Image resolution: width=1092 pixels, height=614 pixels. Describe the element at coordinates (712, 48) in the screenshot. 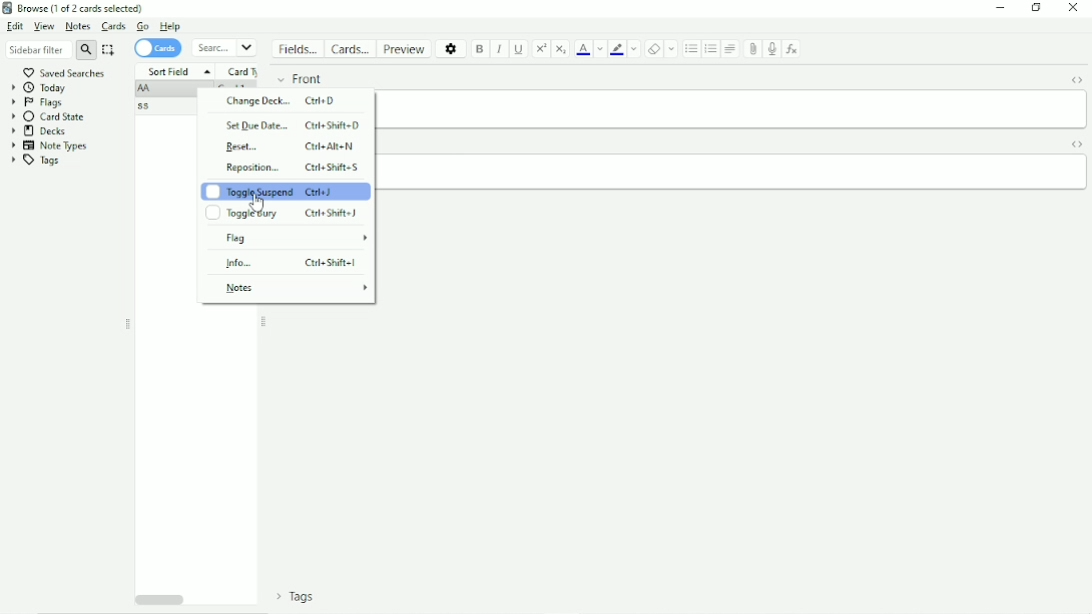

I see `Ordered list` at that location.